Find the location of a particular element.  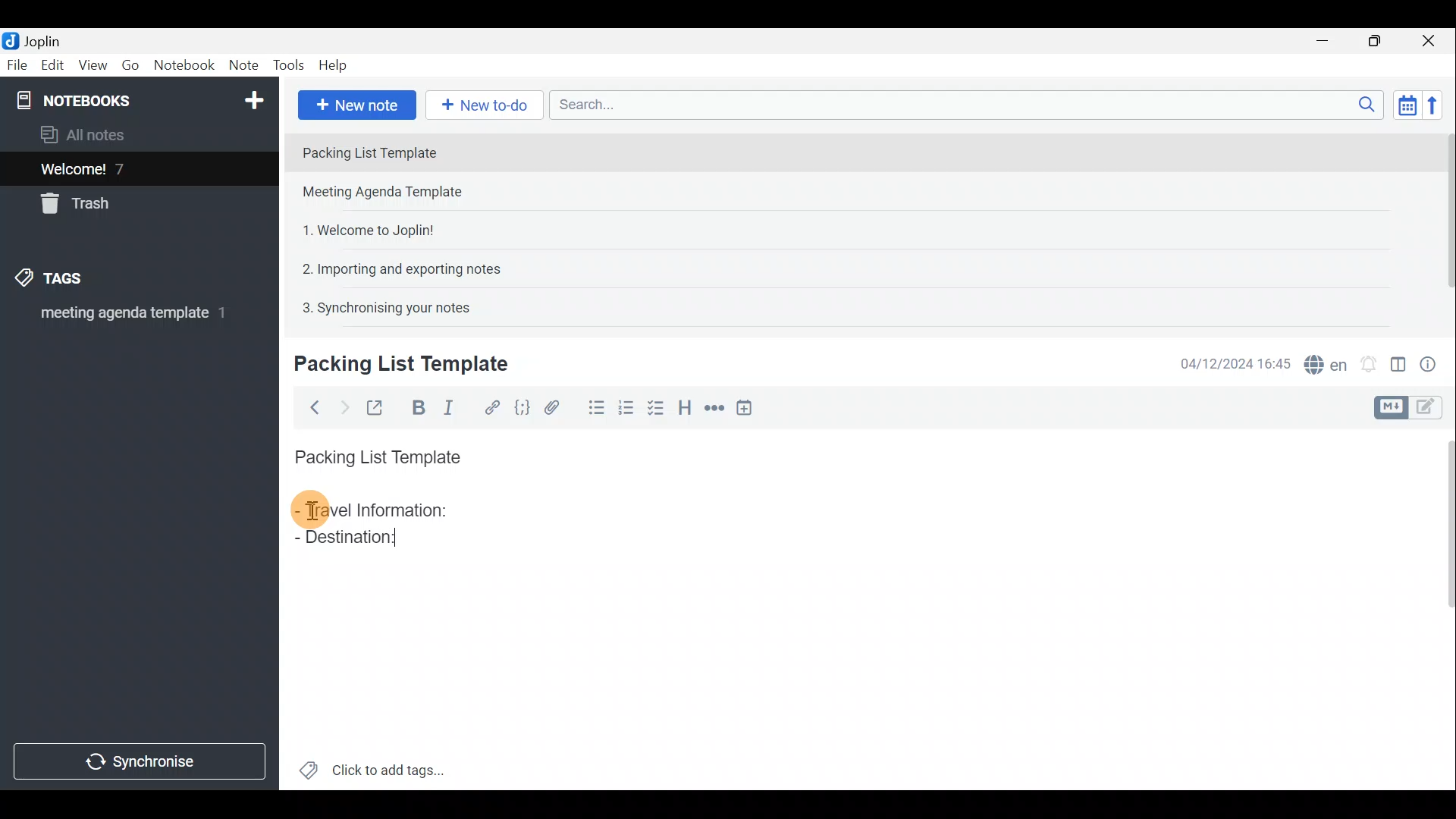

Minimise is located at coordinates (1330, 43).